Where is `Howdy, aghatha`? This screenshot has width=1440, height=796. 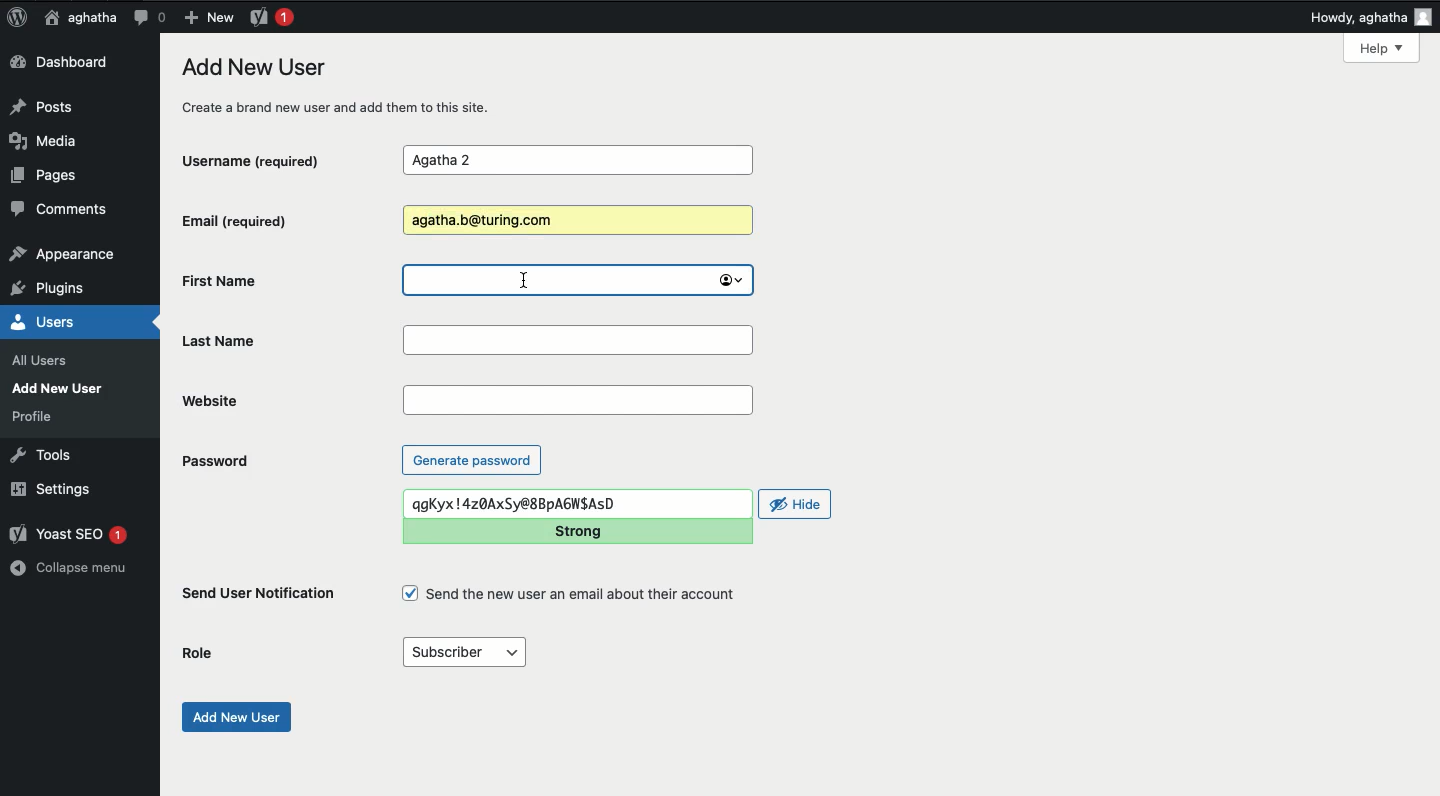 Howdy, aghatha is located at coordinates (1371, 17).